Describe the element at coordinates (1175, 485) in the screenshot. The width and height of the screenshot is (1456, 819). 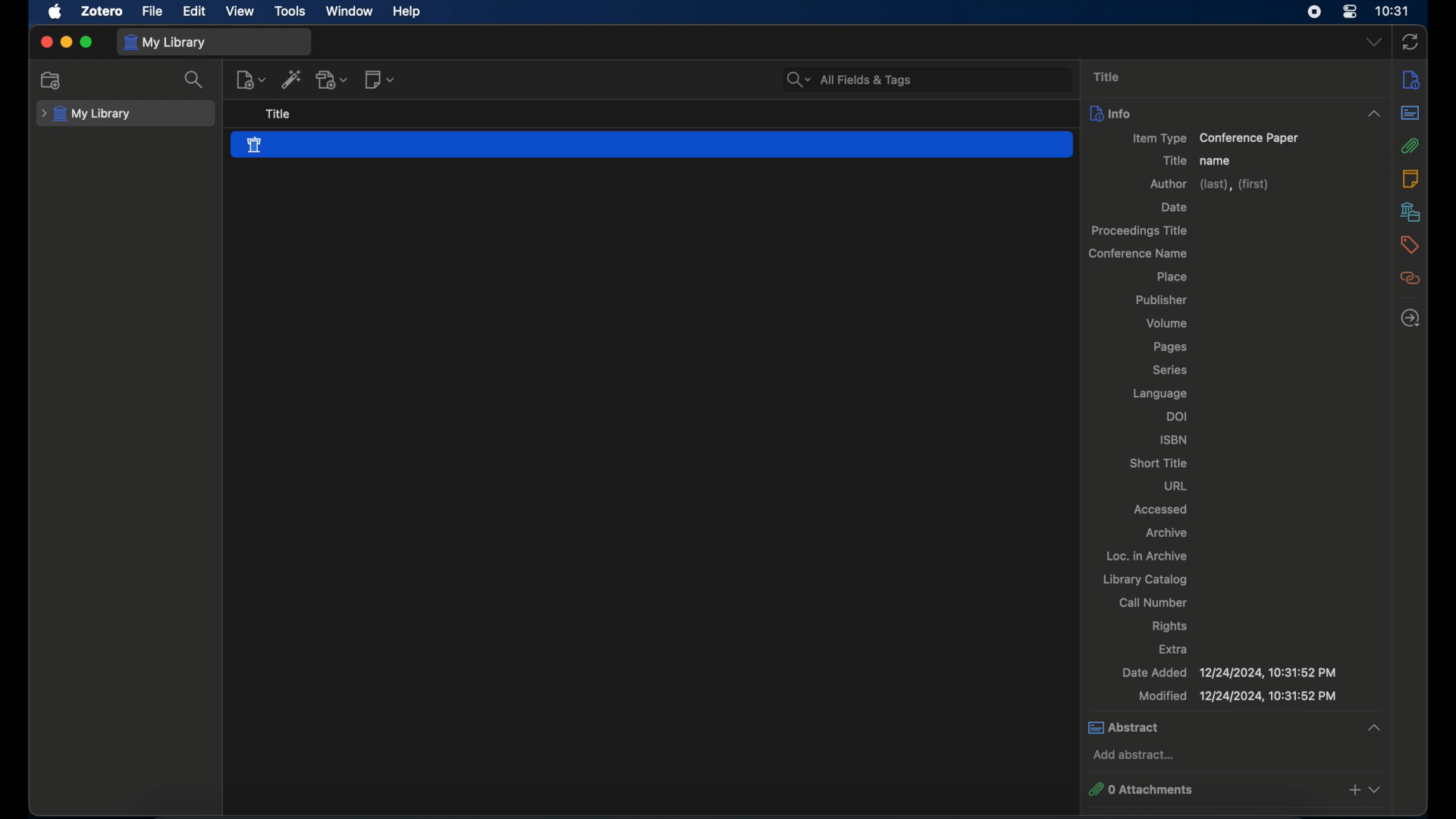
I see `url` at that location.